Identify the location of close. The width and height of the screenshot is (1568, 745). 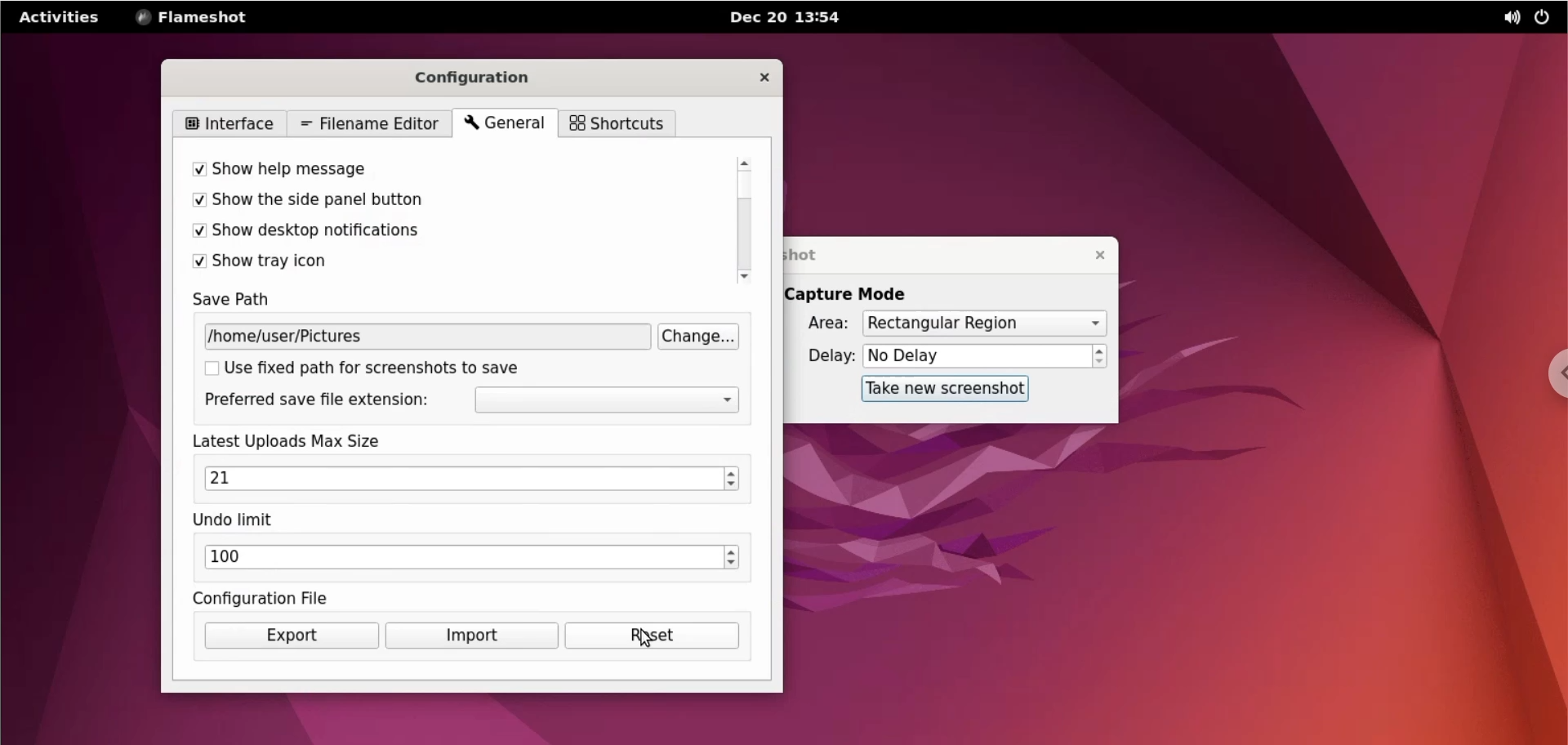
(1097, 256).